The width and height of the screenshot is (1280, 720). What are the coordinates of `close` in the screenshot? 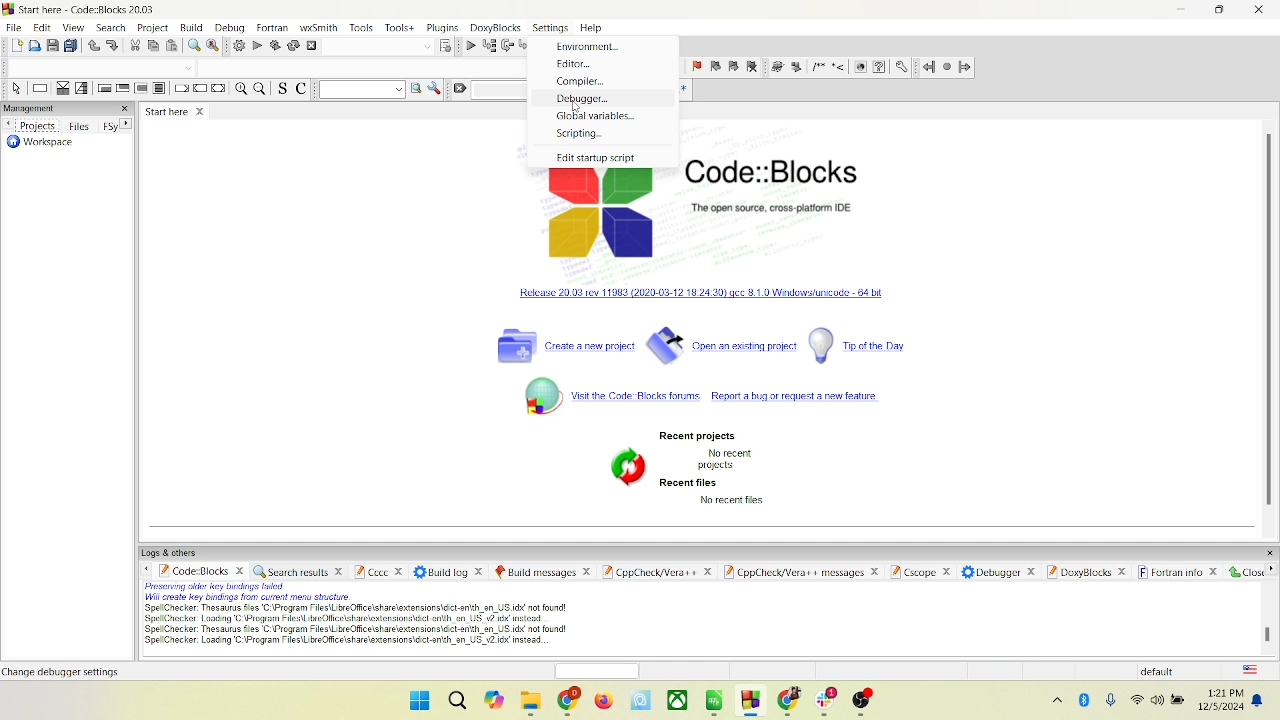 It's located at (1246, 574).